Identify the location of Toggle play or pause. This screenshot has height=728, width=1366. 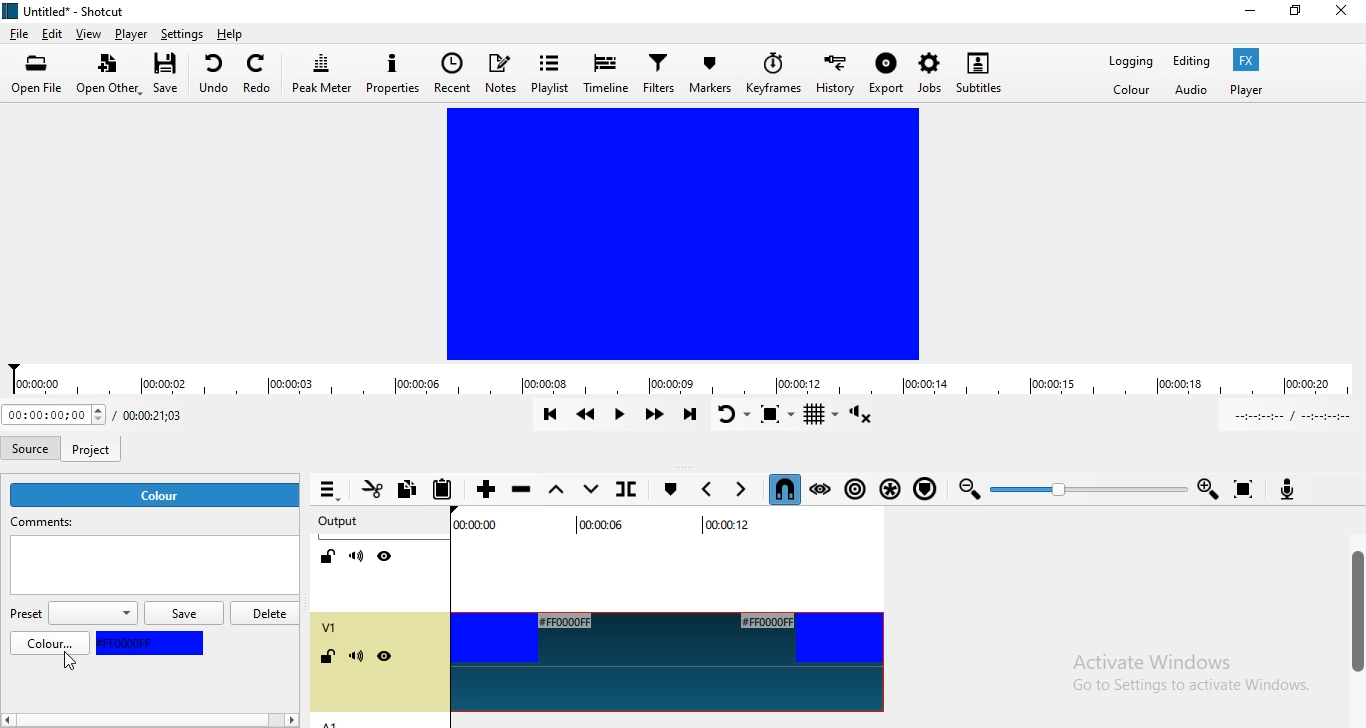
(620, 415).